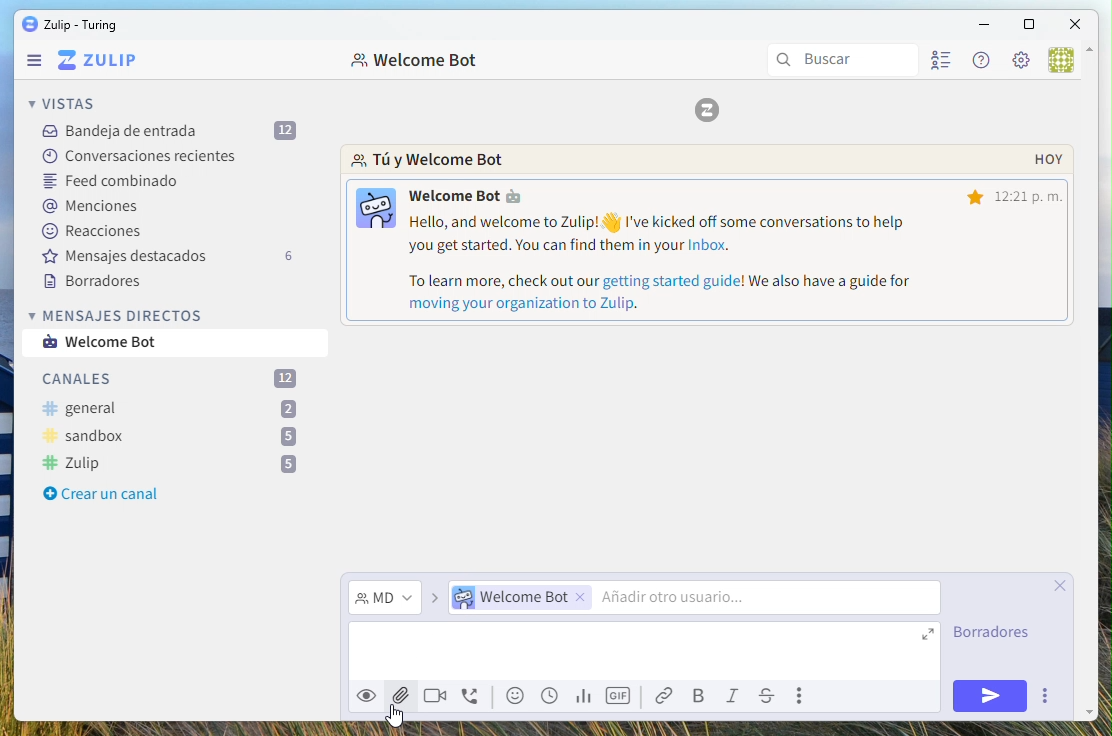 Image resolution: width=1112 pixels, height=736 pixels. What do you see at coordinates (417, 62) in the screenshot?
I see `Chat name` at bounding box center [417, 62].